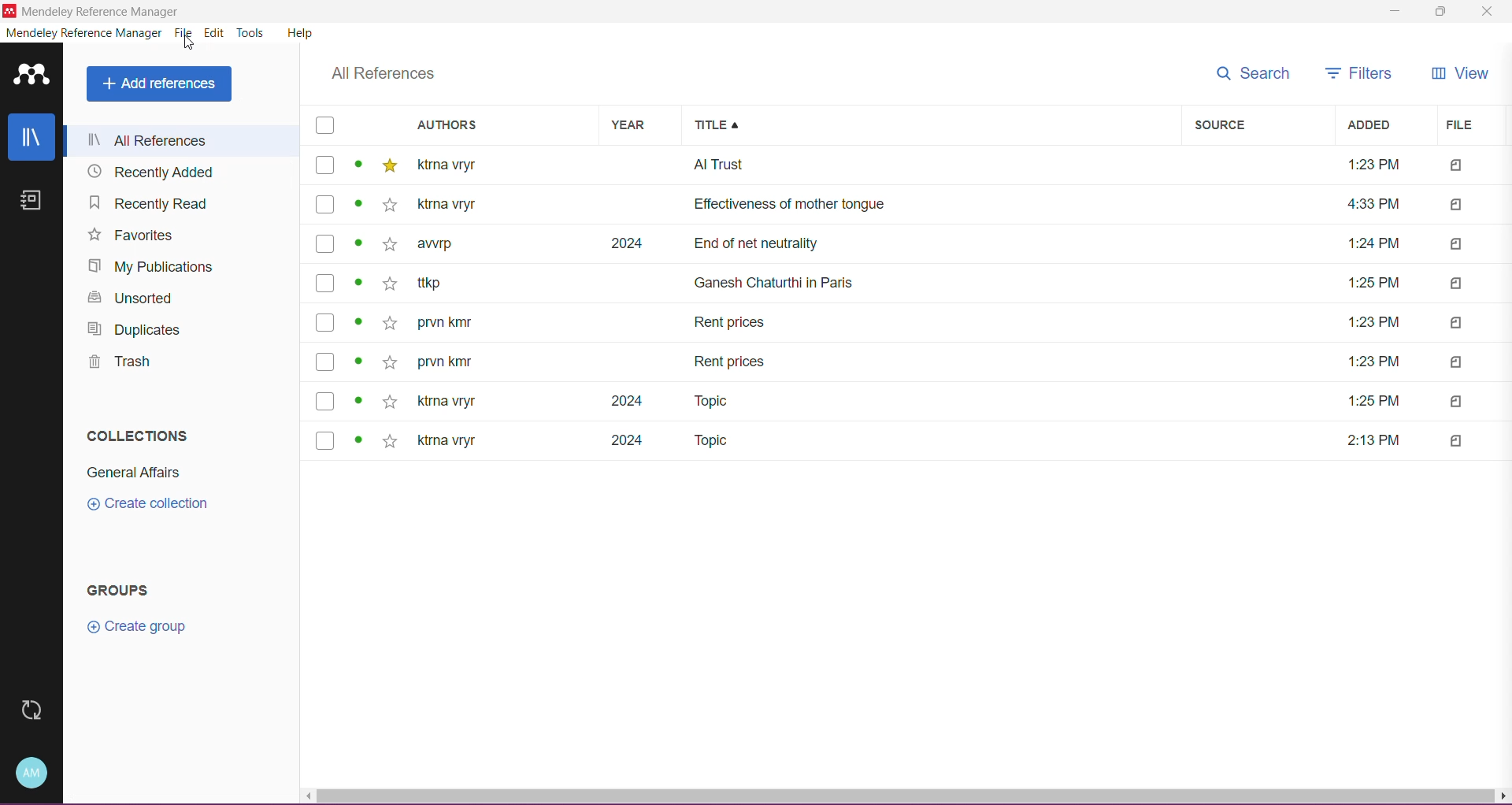  What do you see at coordinates (1354, 72) in the screenshot?
I see `Filters` at bounding box center [1354, 72].